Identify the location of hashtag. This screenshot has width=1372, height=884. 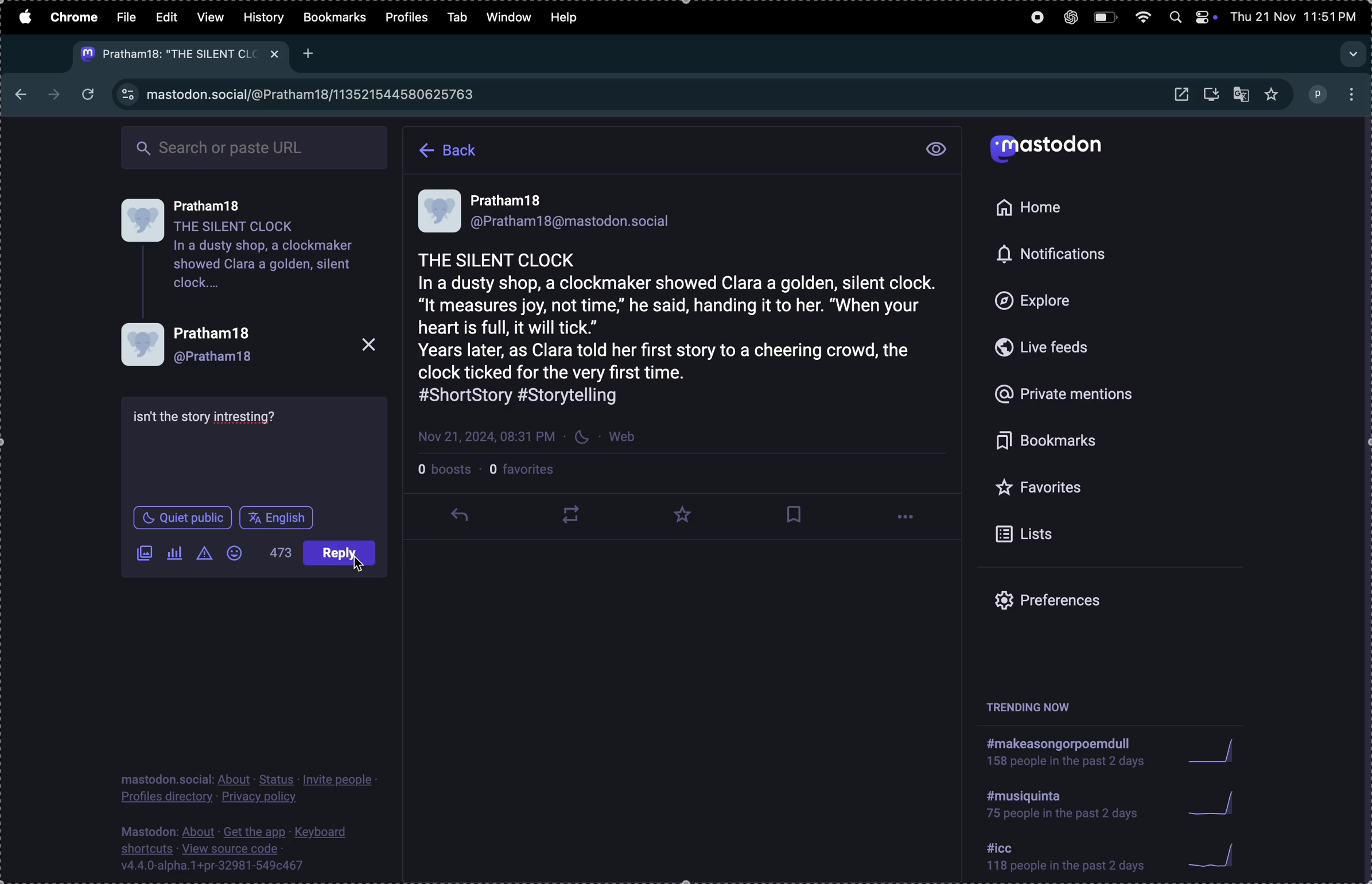
(1066, 750).